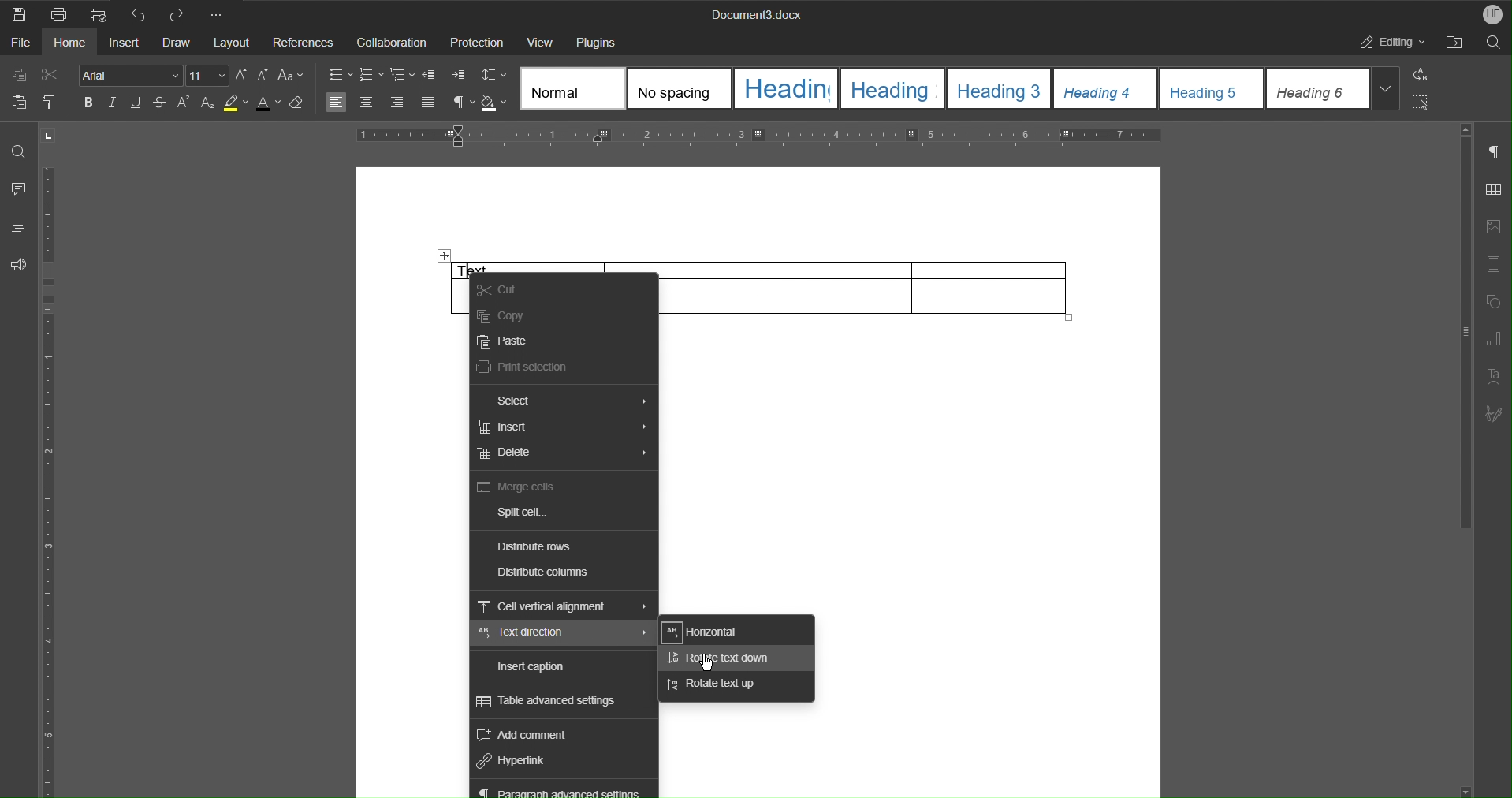 The image size is (1512, 798). What do you see at coordinates (495, 103) in the screenshot?
I see `Shadow` at bounding box center [495, 103].